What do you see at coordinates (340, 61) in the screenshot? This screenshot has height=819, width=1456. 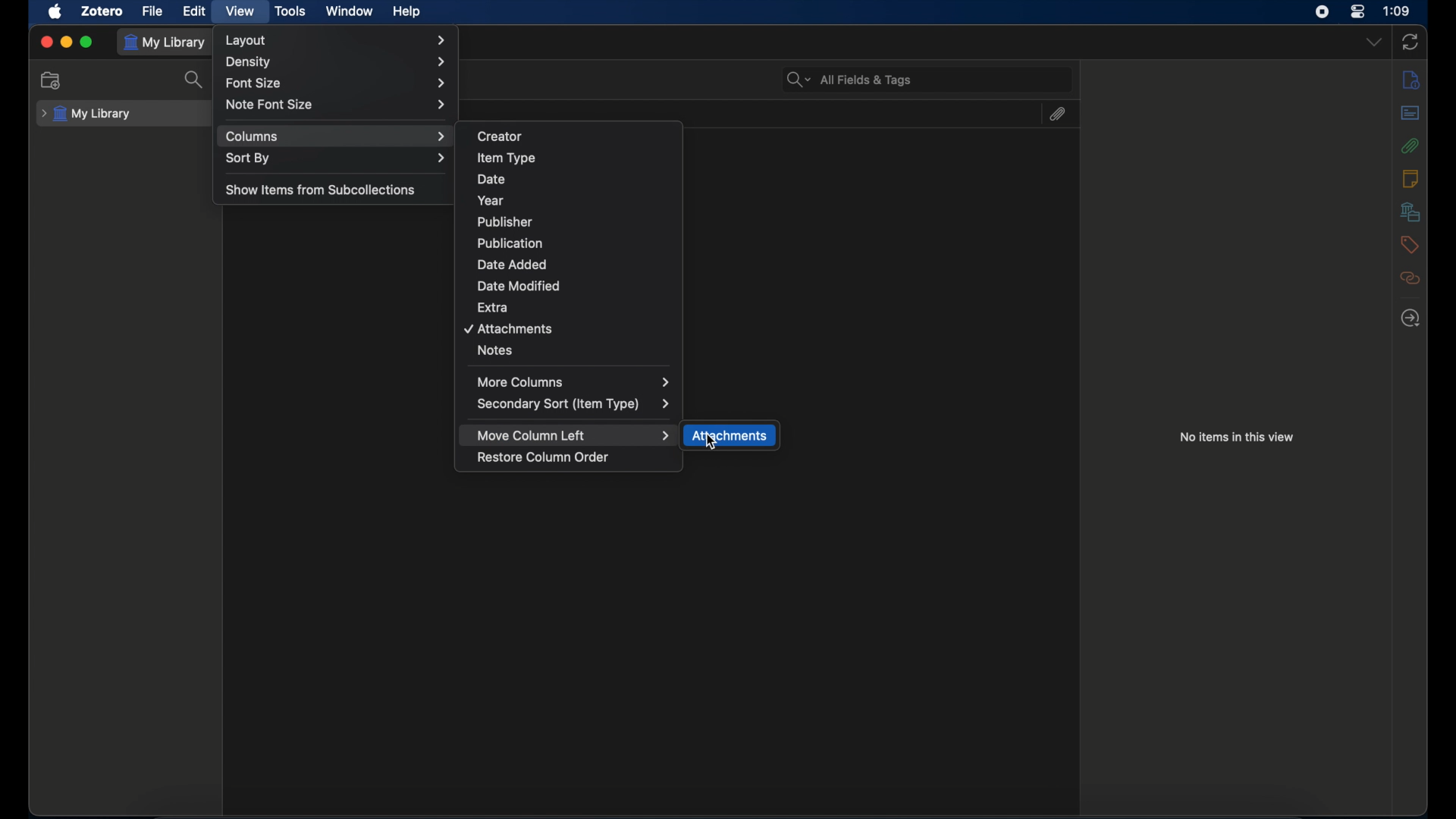 I see `density` at bounding box center [340, 61].